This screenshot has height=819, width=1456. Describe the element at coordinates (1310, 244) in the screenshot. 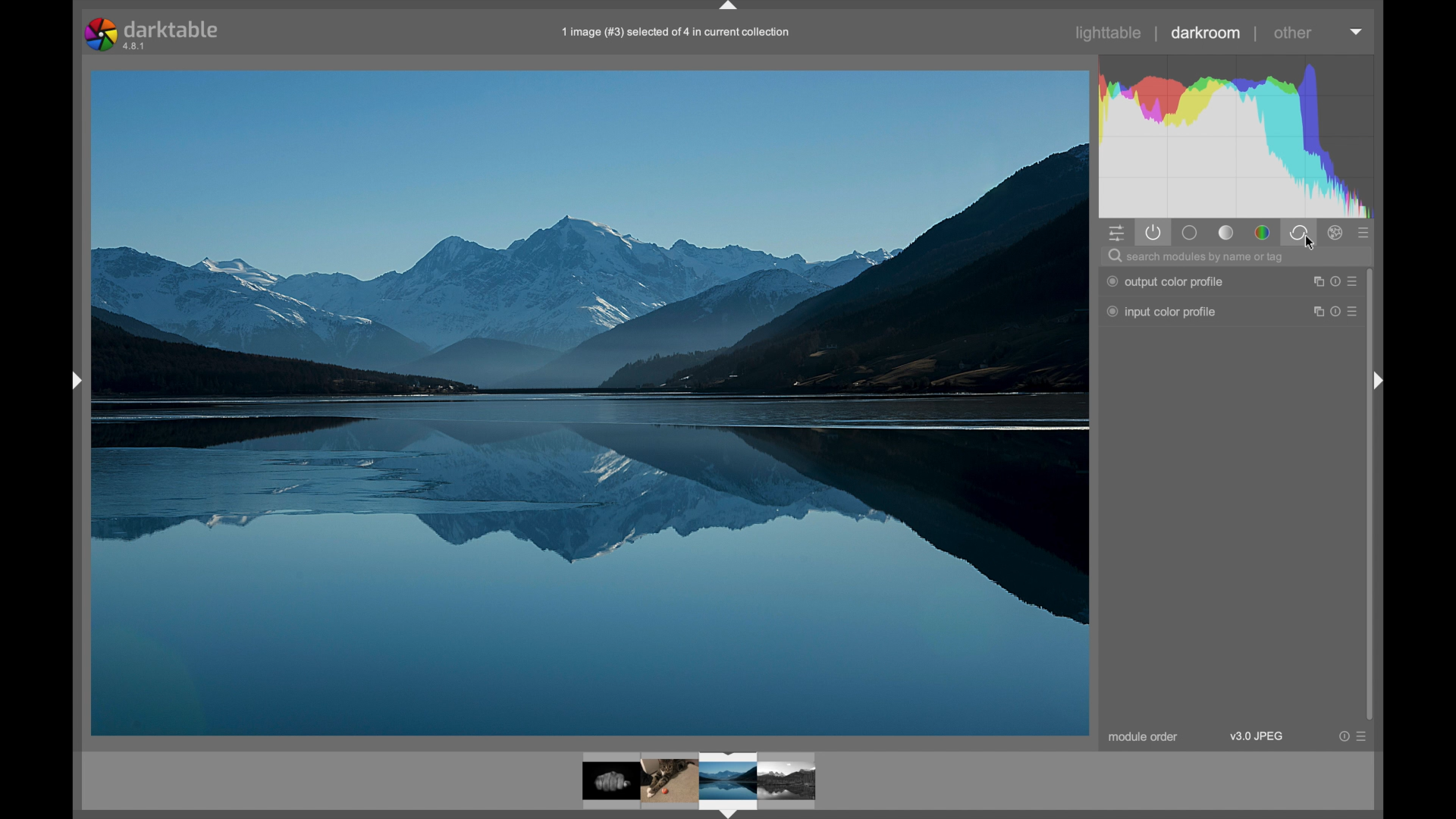

I see `cursor` at that location.